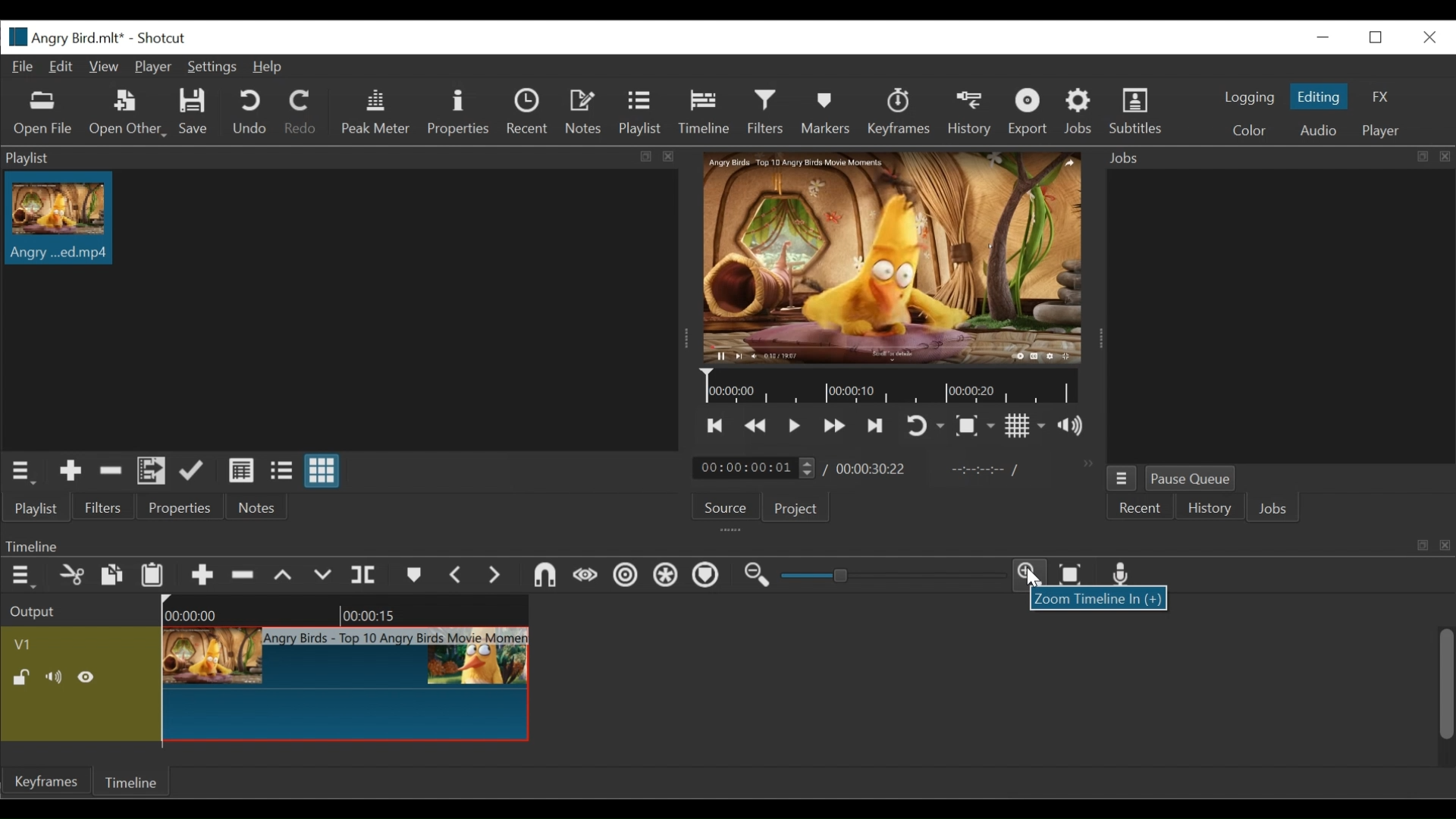  I want to click on Snap, so click(541, 576).